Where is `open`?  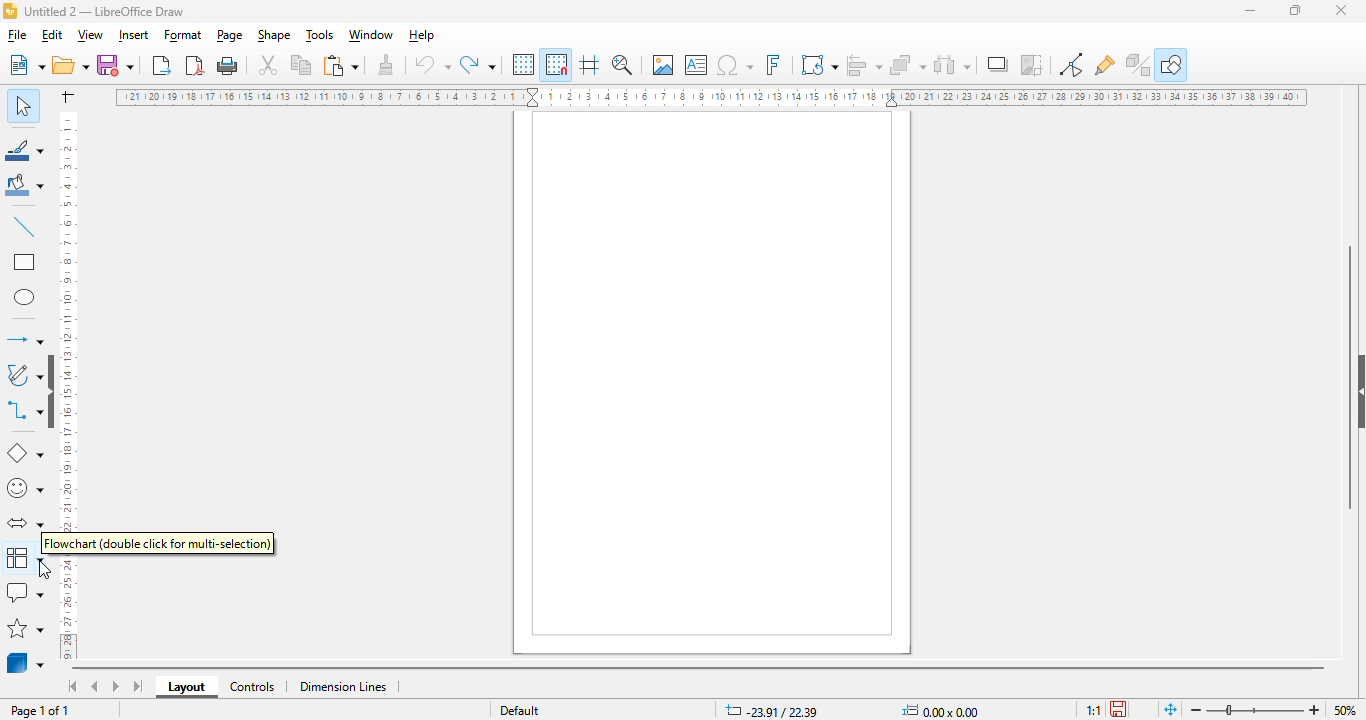 open is located at coordinates (71, 66).